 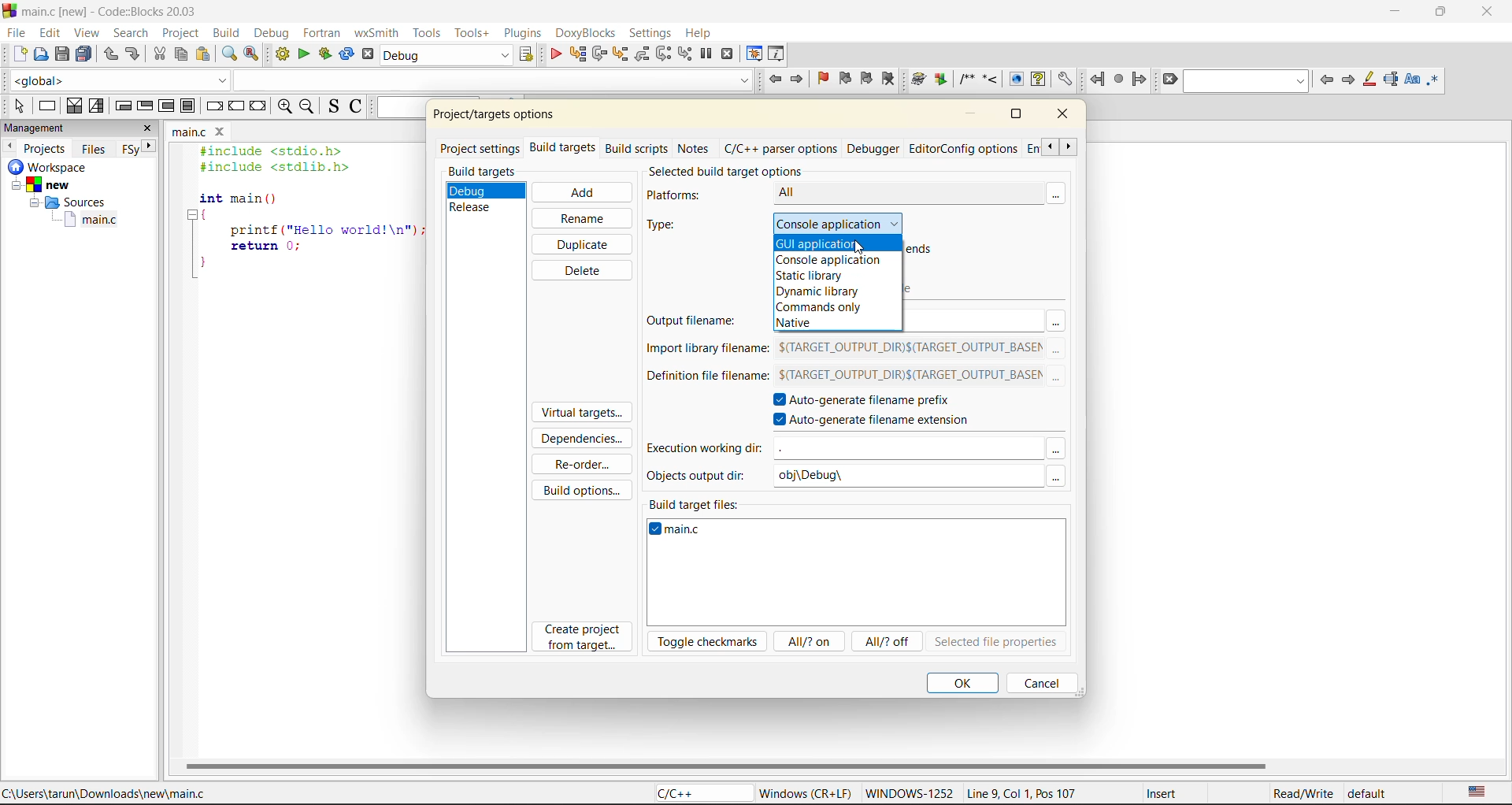 What do you see at coordinates (524, 33) in the screenshot?
I see `plugins` at bounding box center [524, 33].